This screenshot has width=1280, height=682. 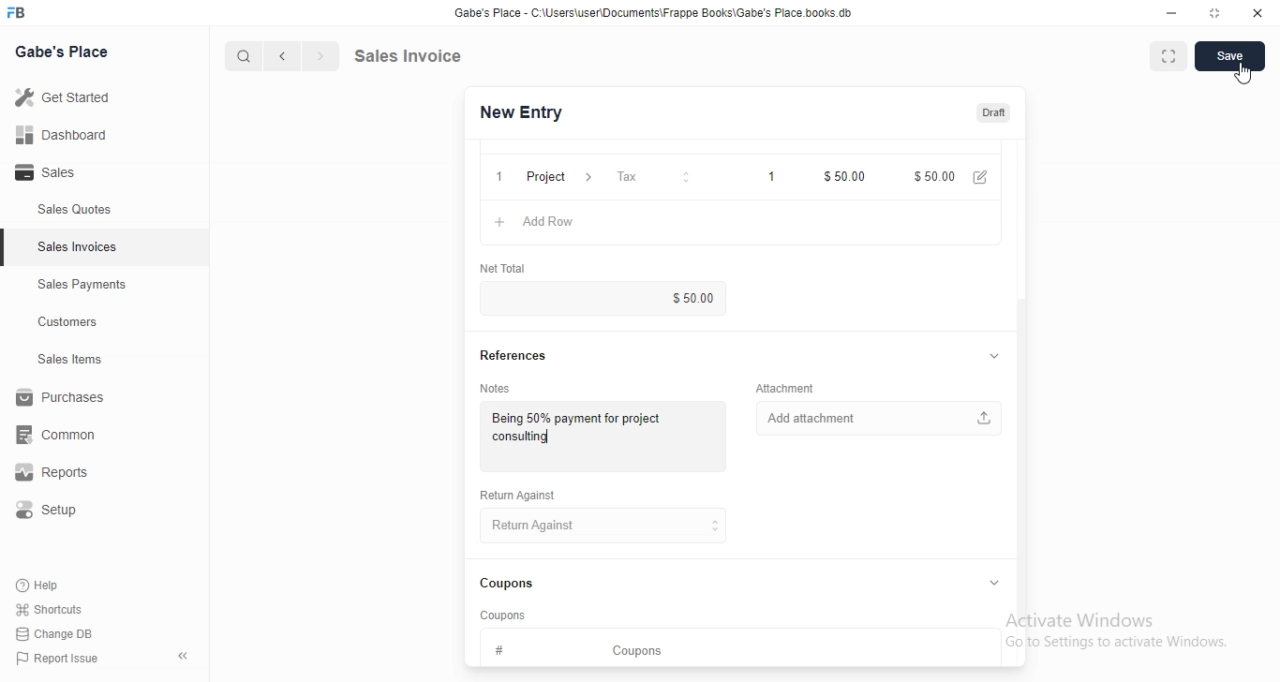 What do you see at coordinates (495, 174) in the screenshot?
I see `1` at bounding box center [495, 174].